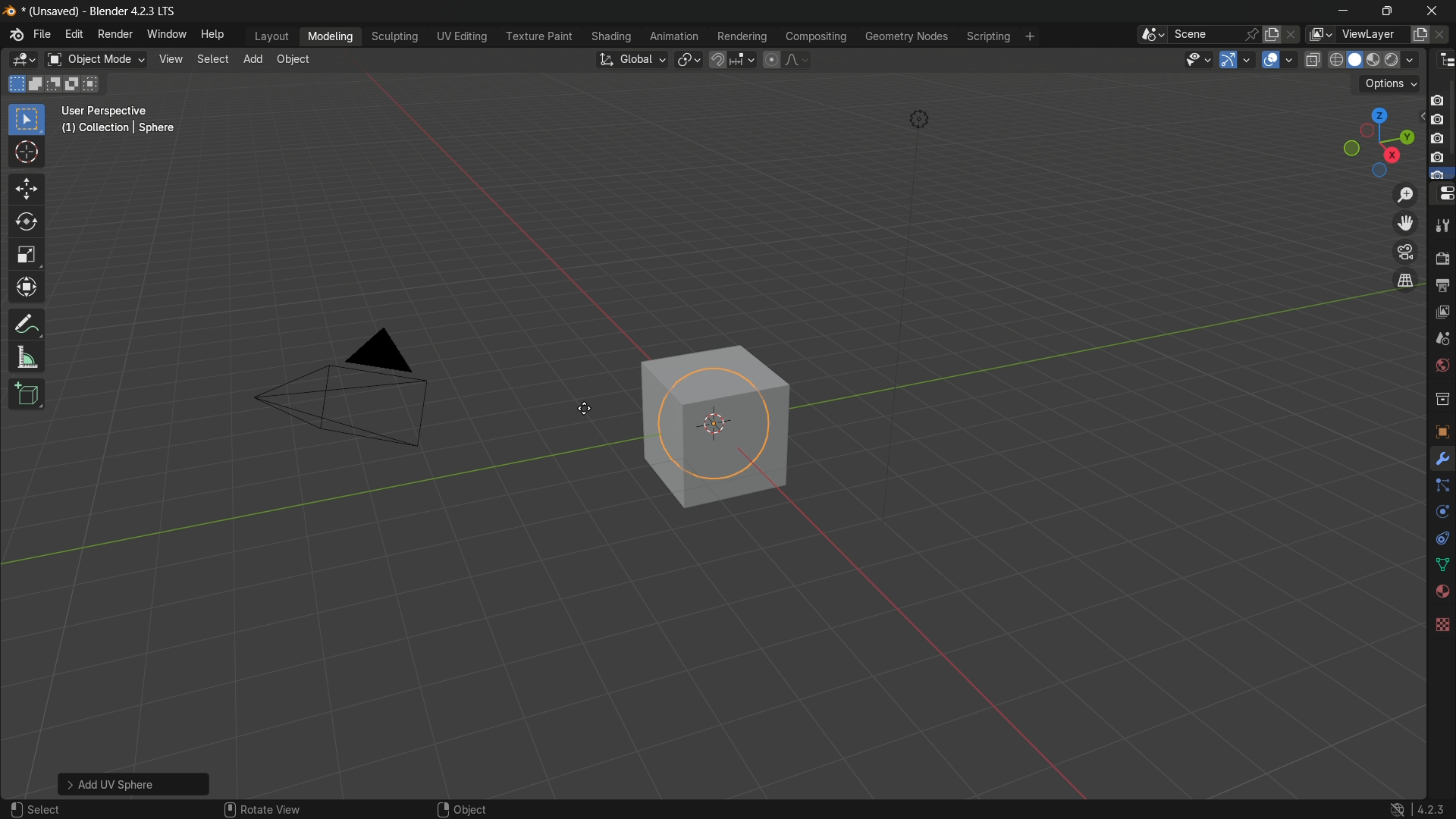 The height and width of the screenshot is (819, 1456). What do you see at coordinates (31, 394) in the screenshot?
I see `add cube` at bounding box center [31, 394].